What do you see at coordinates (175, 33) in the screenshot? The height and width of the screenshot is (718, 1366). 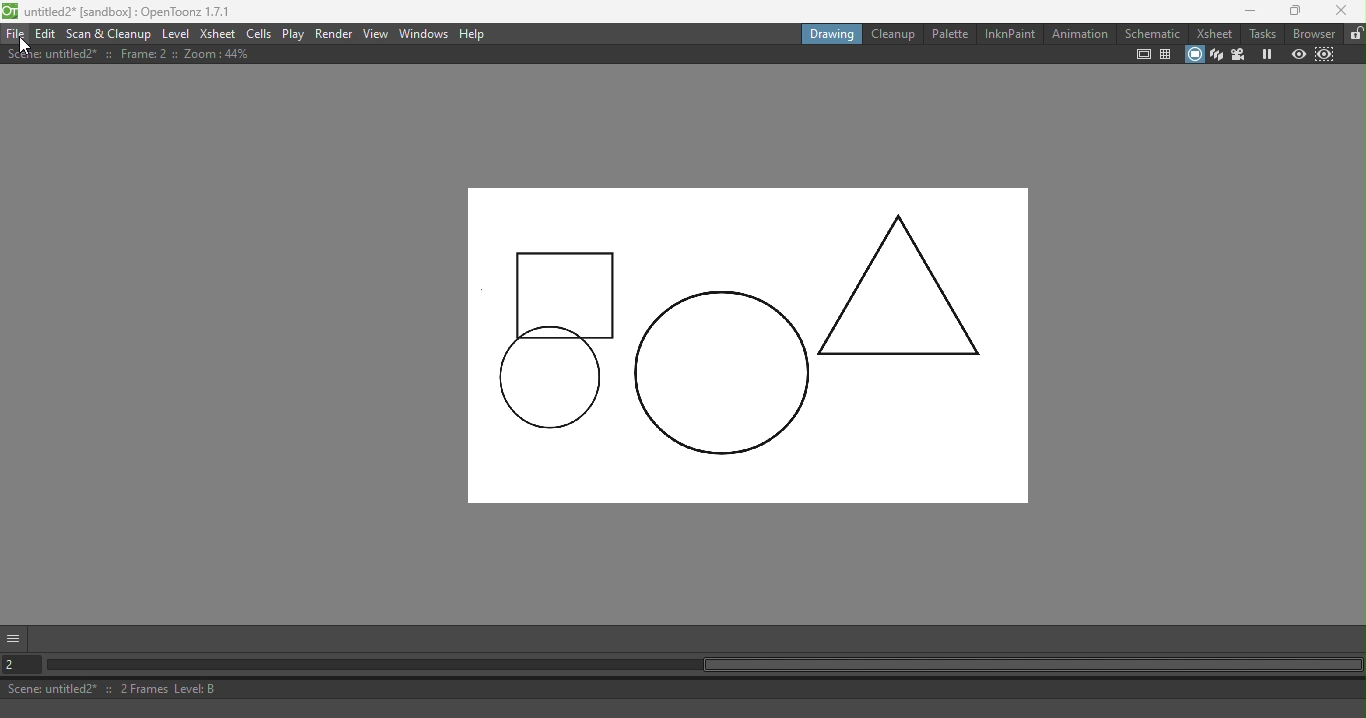 I see `Level` at bounding box center [175, 33].